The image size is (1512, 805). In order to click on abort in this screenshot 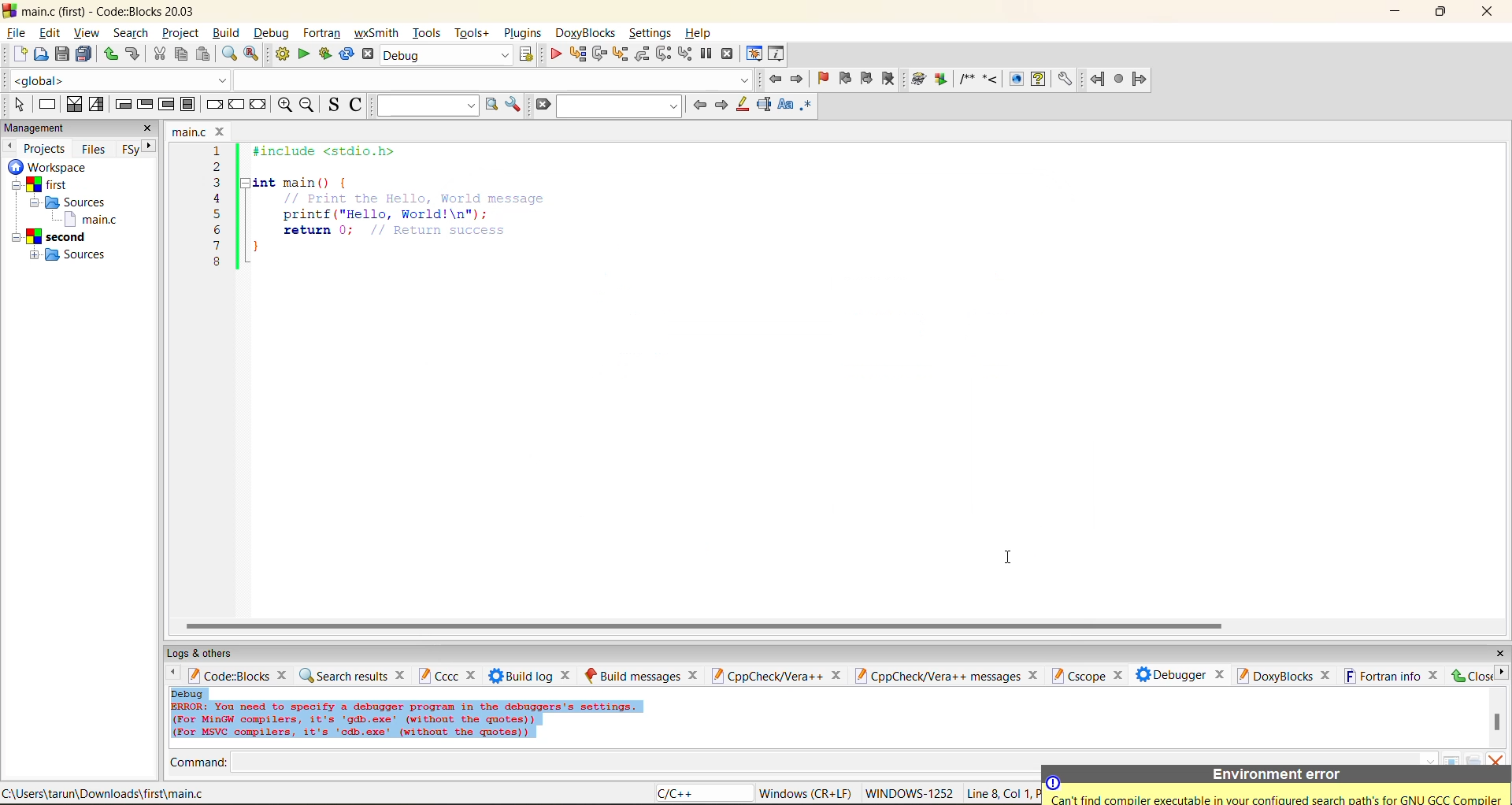, I will do `click(368, 54)`.